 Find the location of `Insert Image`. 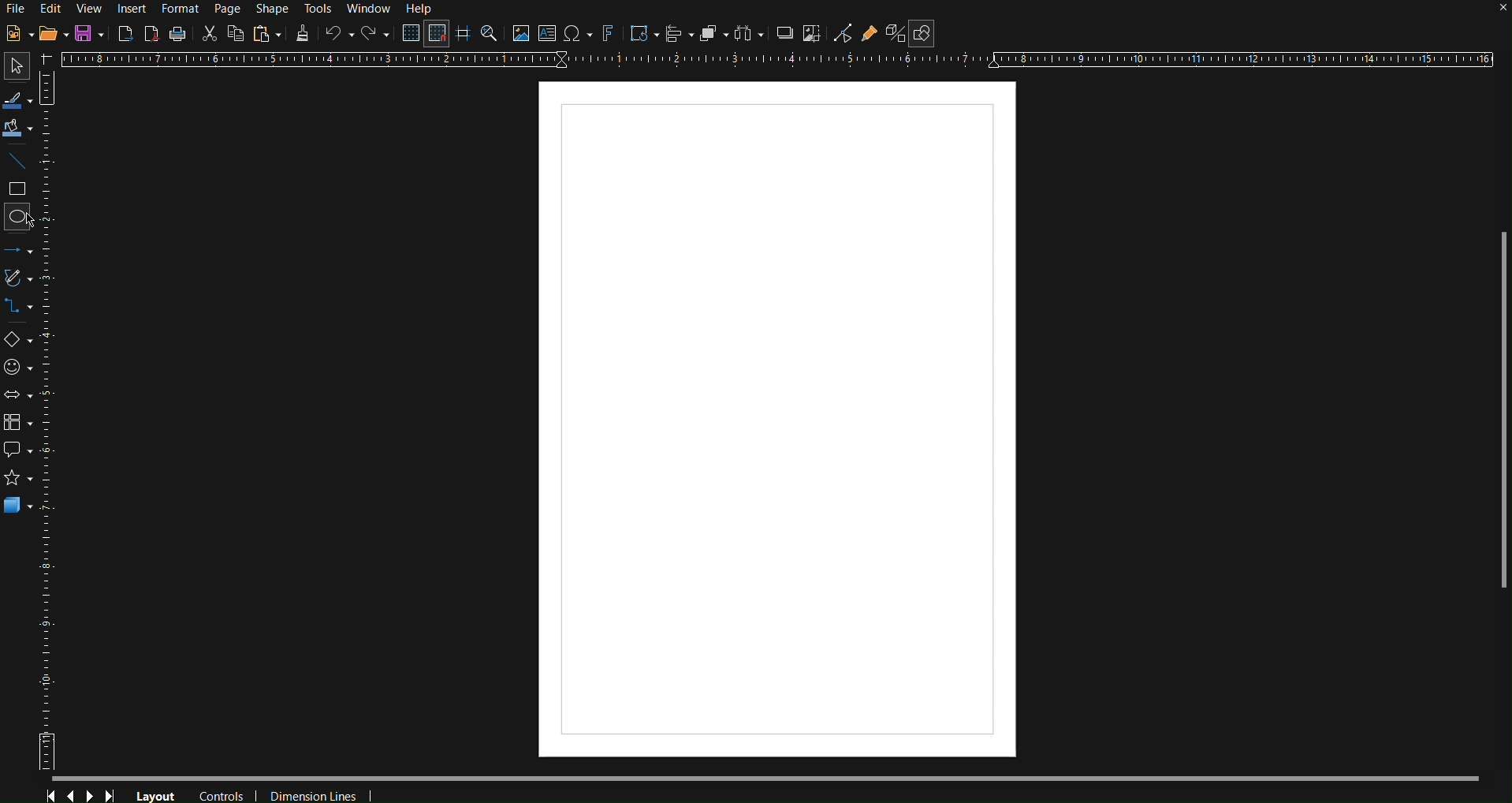

Insert Image is located at coordinates (520, 35).